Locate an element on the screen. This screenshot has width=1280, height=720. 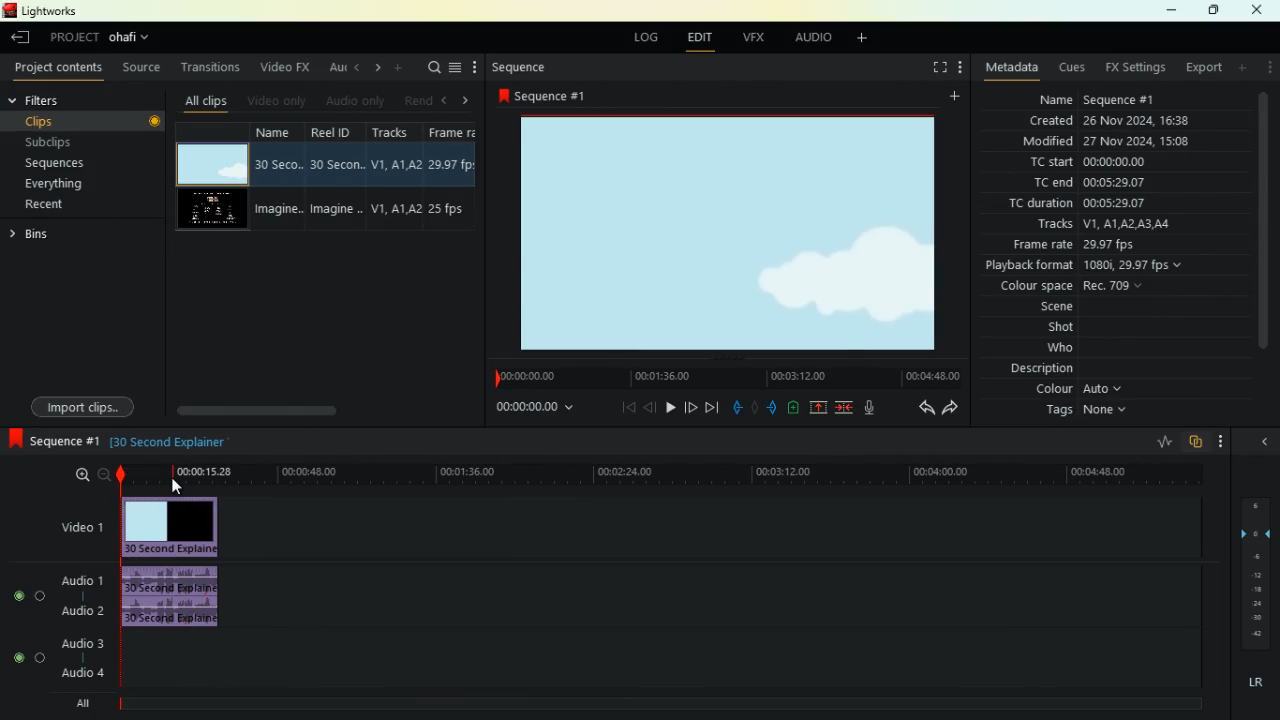
edit is located at coordinates (694, 37).